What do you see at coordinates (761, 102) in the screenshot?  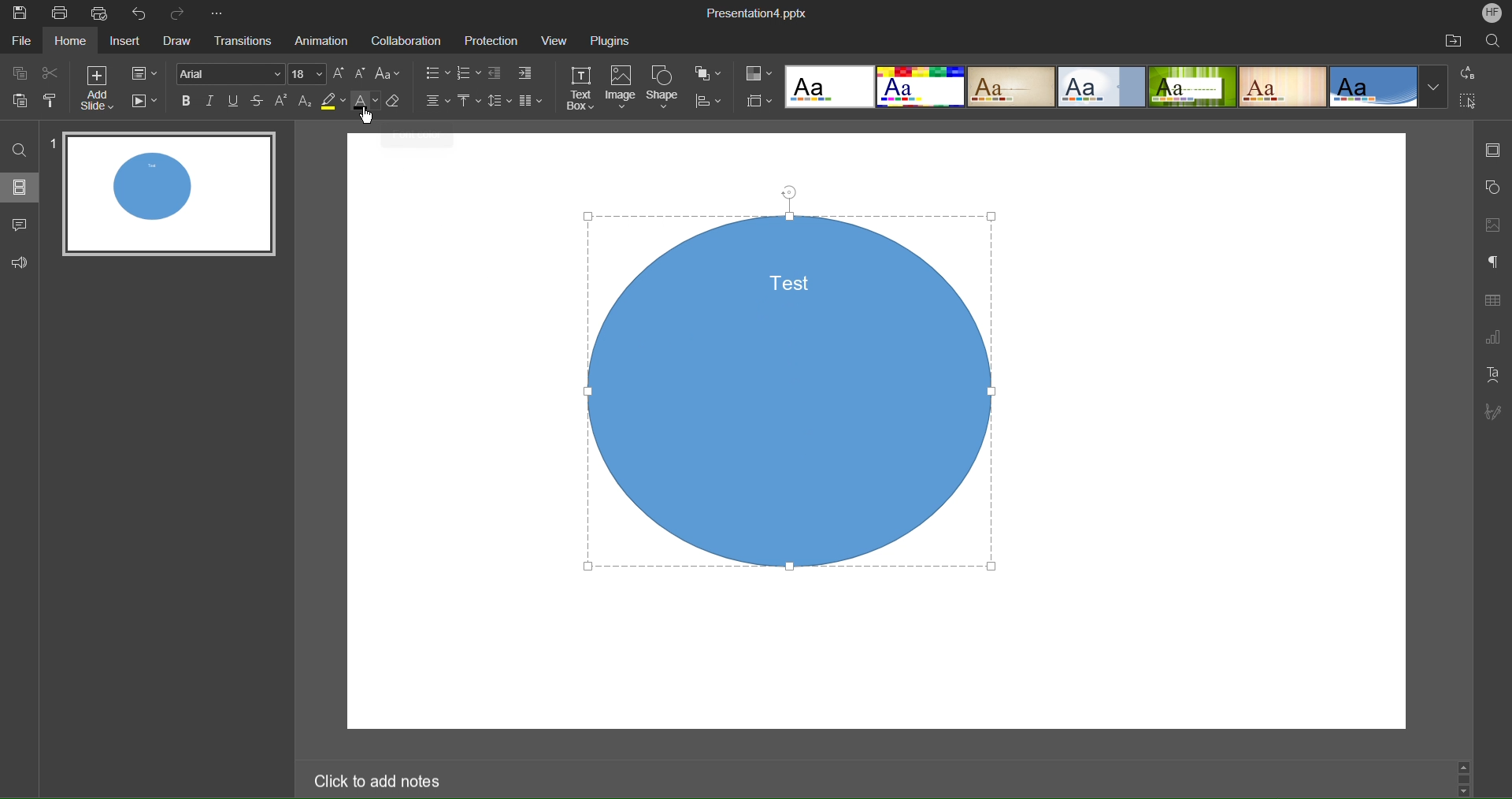 I see `Slide Size Settings` at bounding box center [761, 102].